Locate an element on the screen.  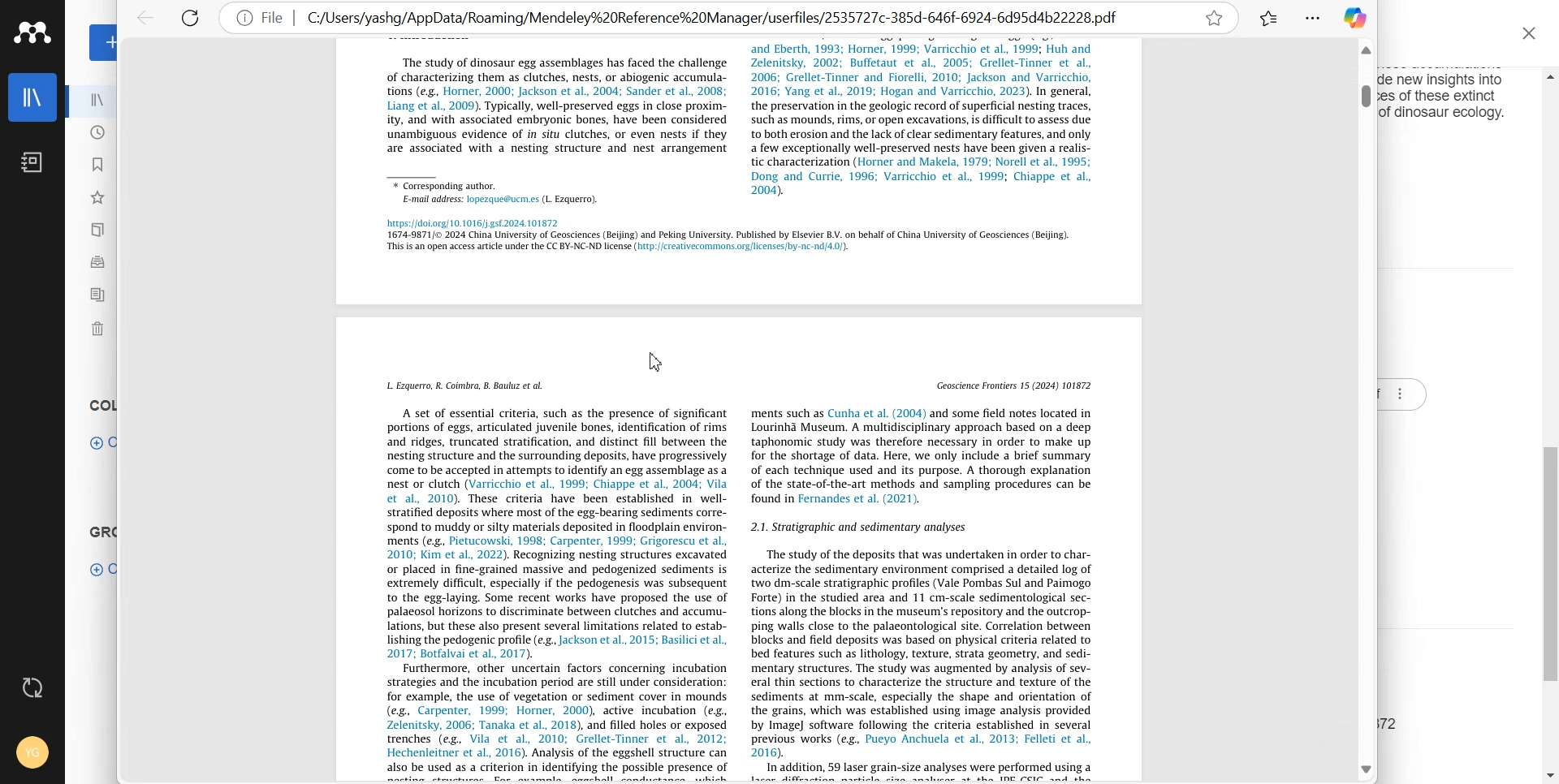
All References is located at coordinates (96, 100).